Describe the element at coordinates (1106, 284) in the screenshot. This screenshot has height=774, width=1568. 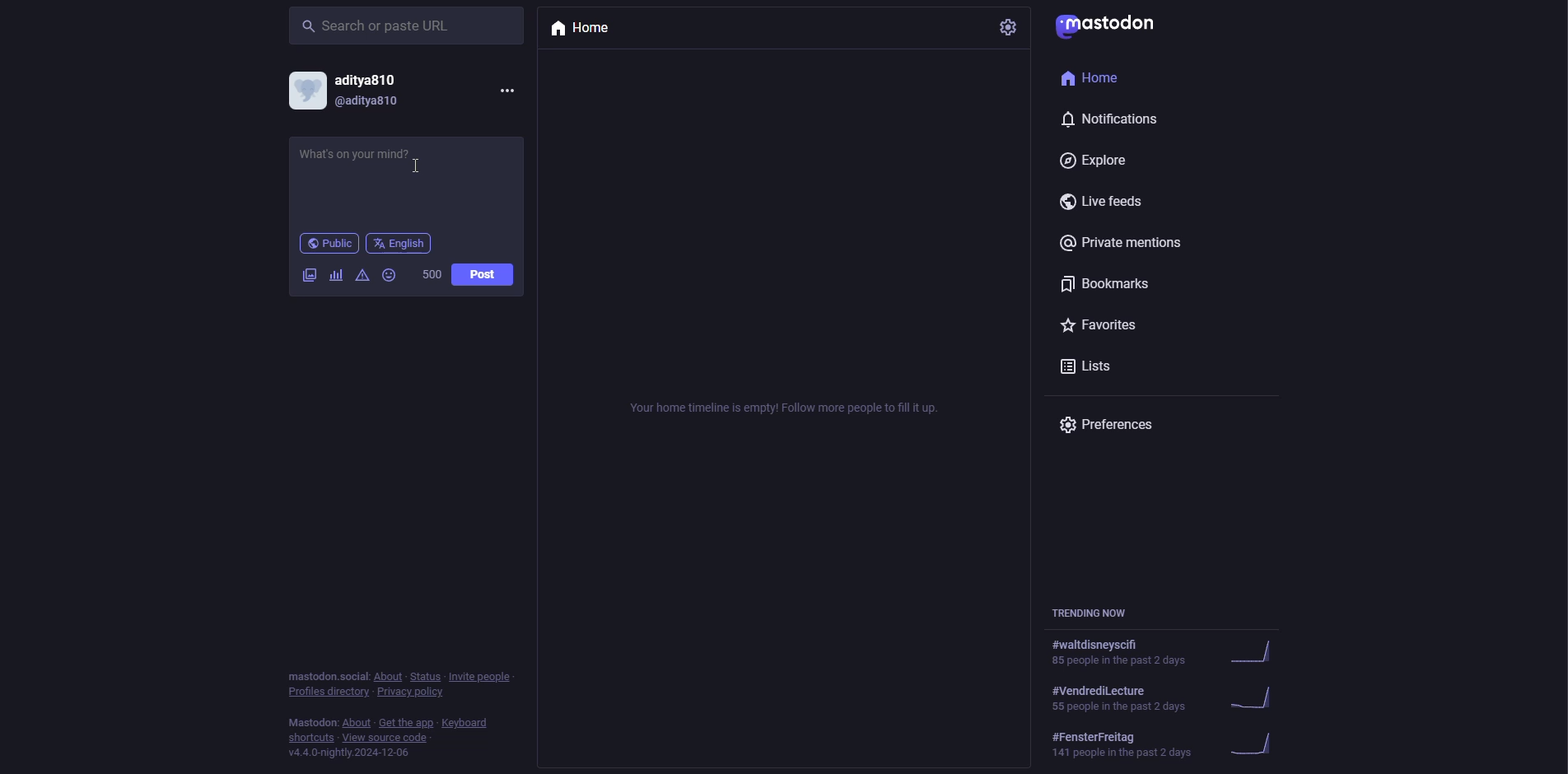
I see `bookmarks` at that location.